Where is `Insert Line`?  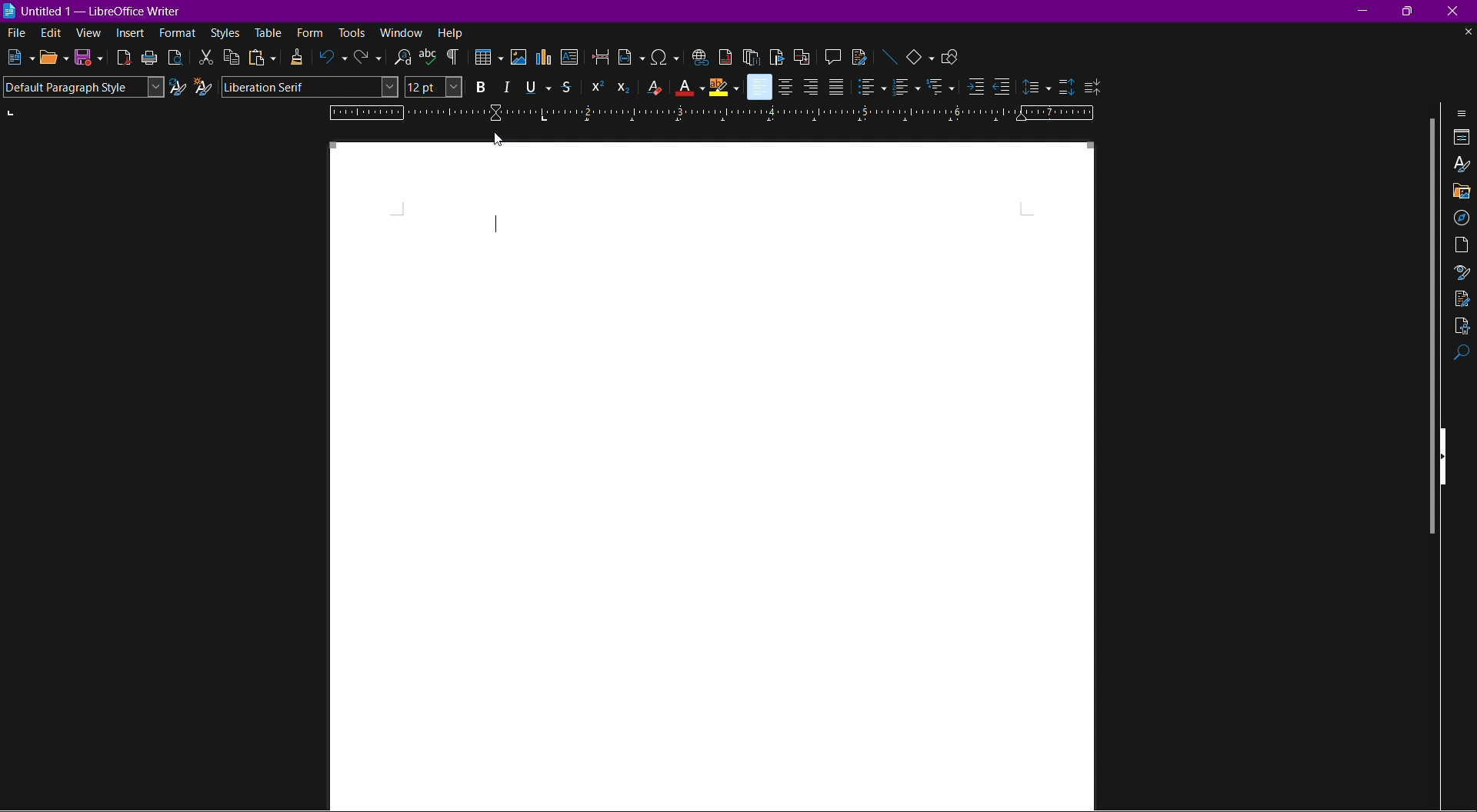 Insert Line is located at coordinates (889, 55).